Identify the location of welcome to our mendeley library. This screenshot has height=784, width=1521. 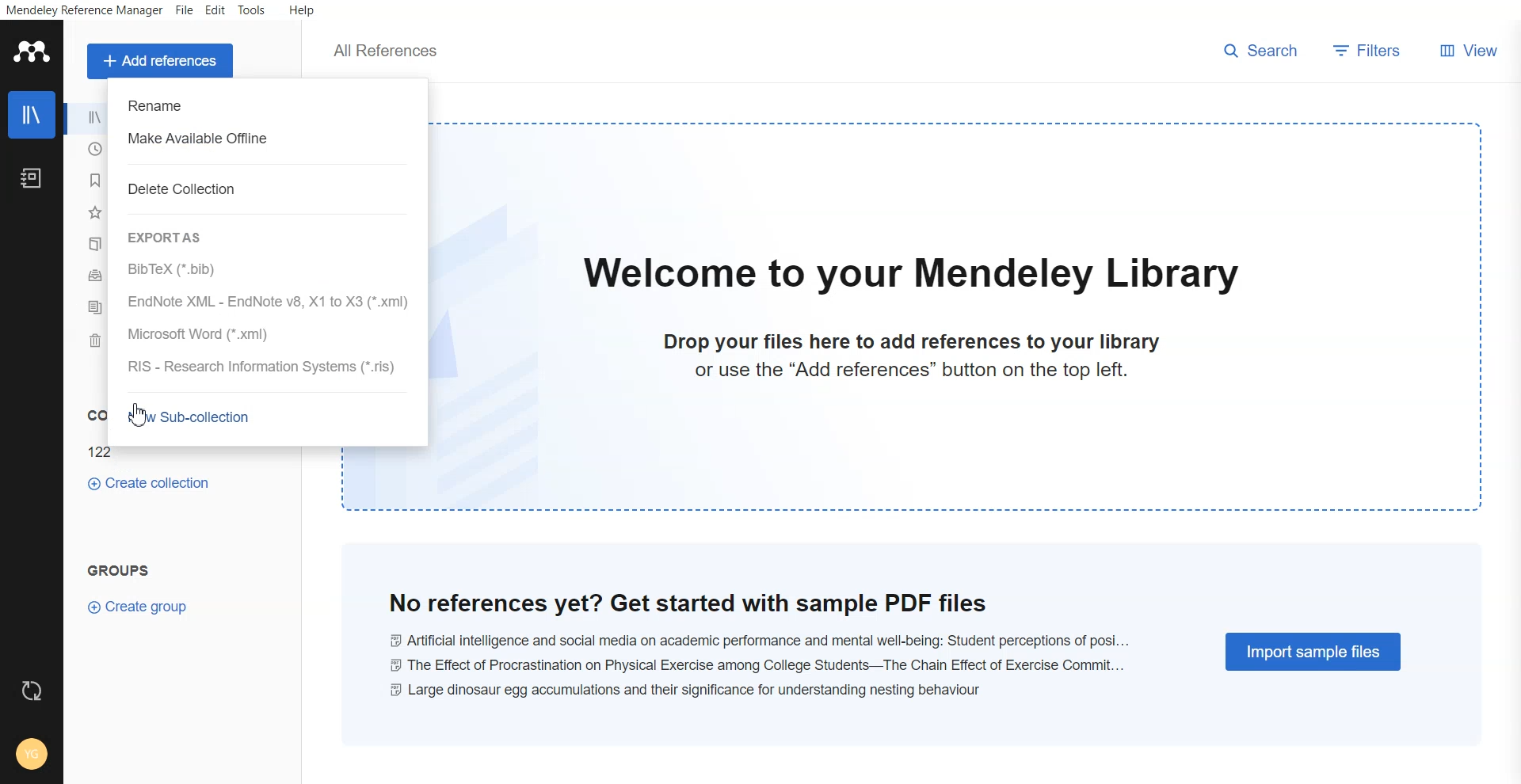
(911, 274).